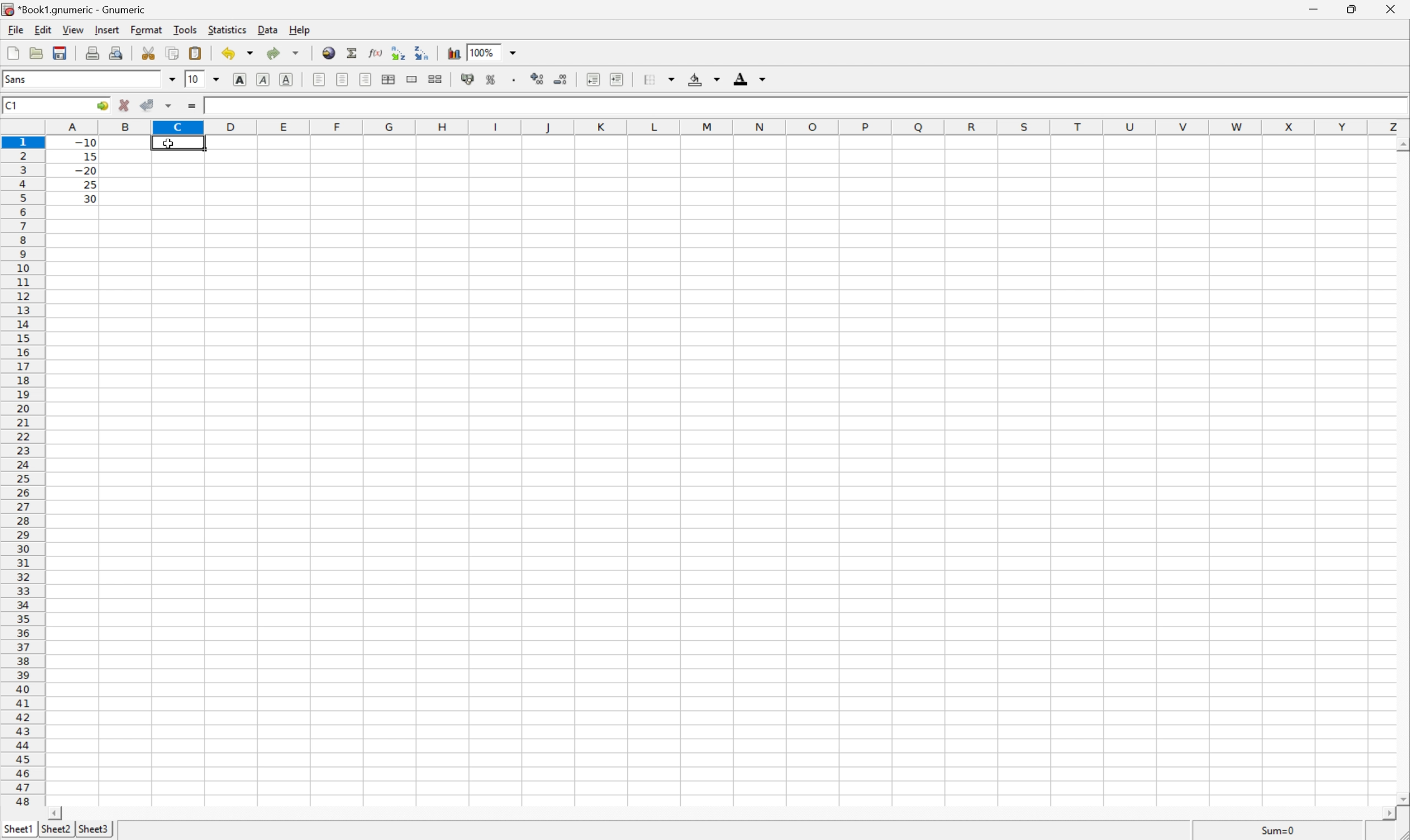 The image size is (1410, 840). What do you see at coordinates (58, 53) in the screenshot?
I see `Open mobile file` at bounding box center [58, 53].